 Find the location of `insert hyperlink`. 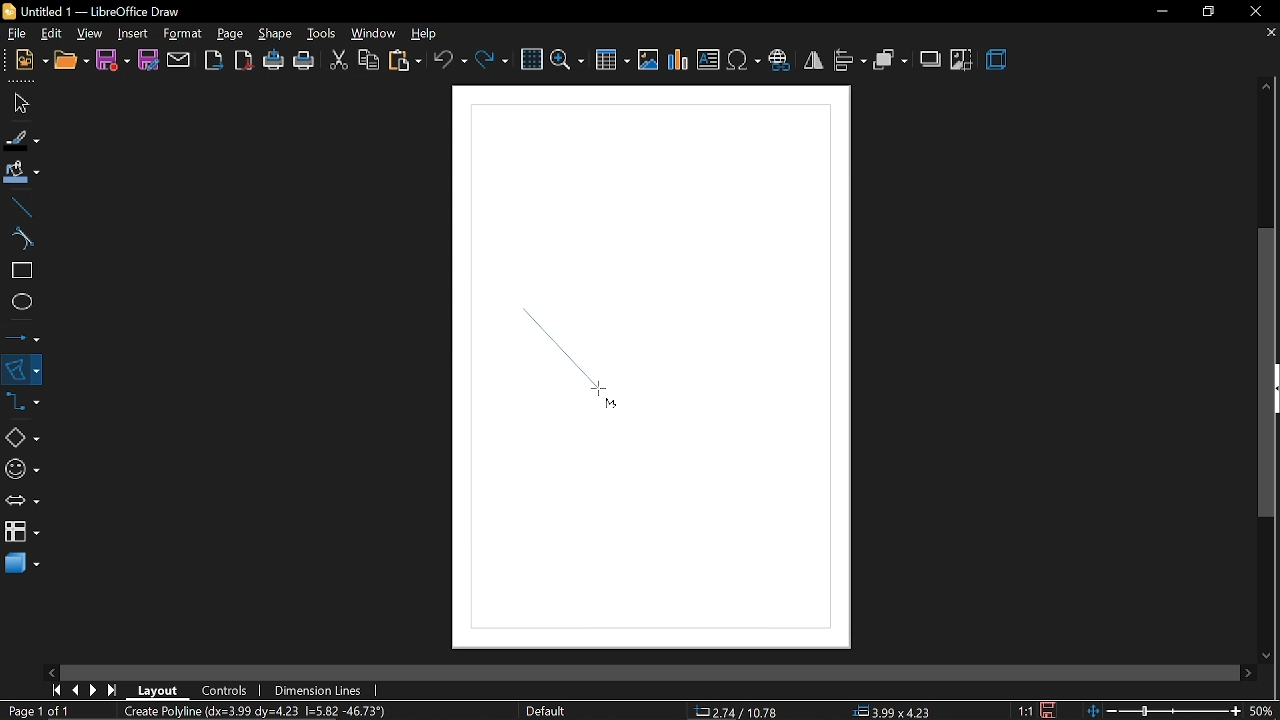

insert hyperlink is located at coordinates (782, 58).